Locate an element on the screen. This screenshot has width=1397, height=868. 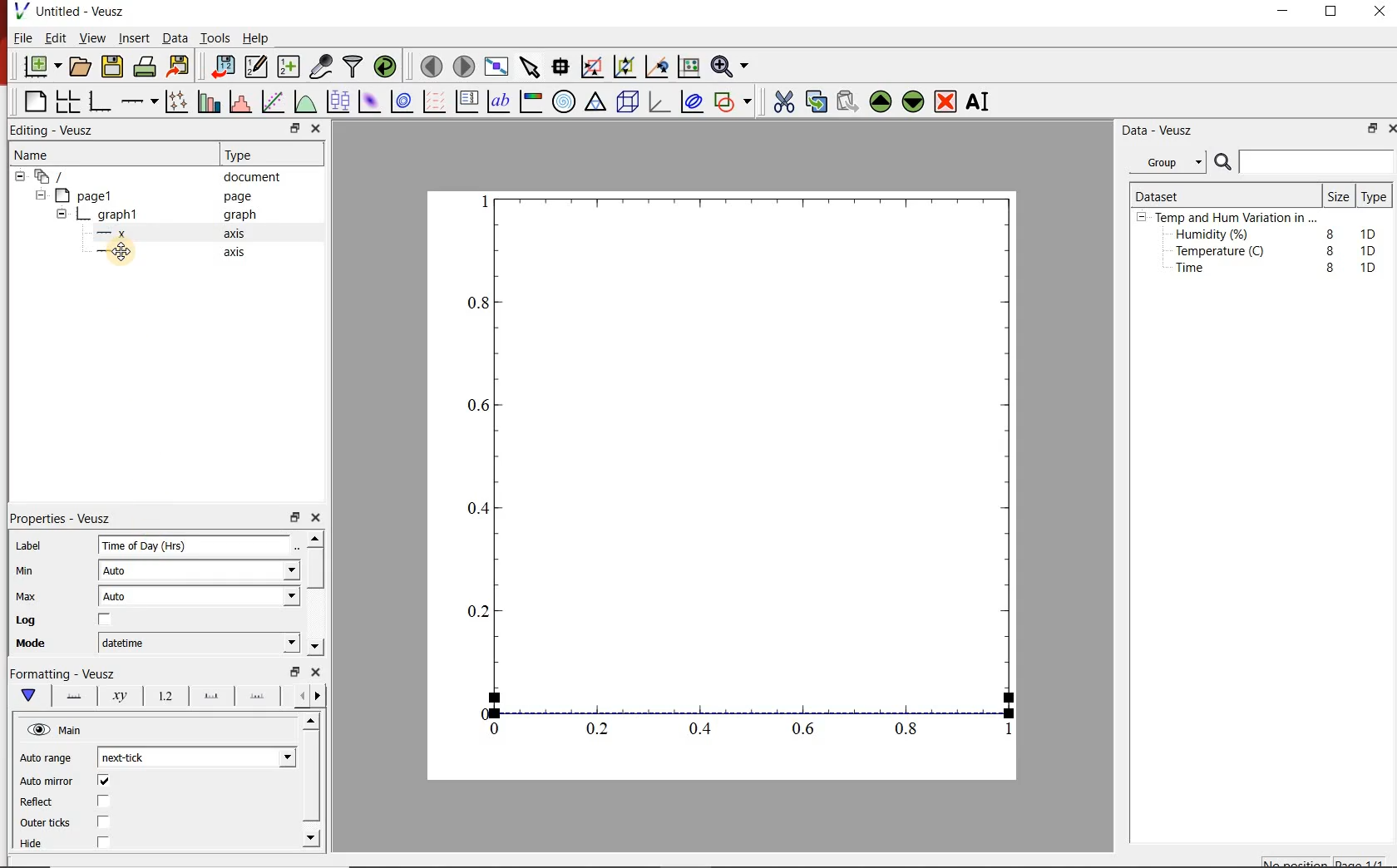
File is located at coordinates (19, 37).